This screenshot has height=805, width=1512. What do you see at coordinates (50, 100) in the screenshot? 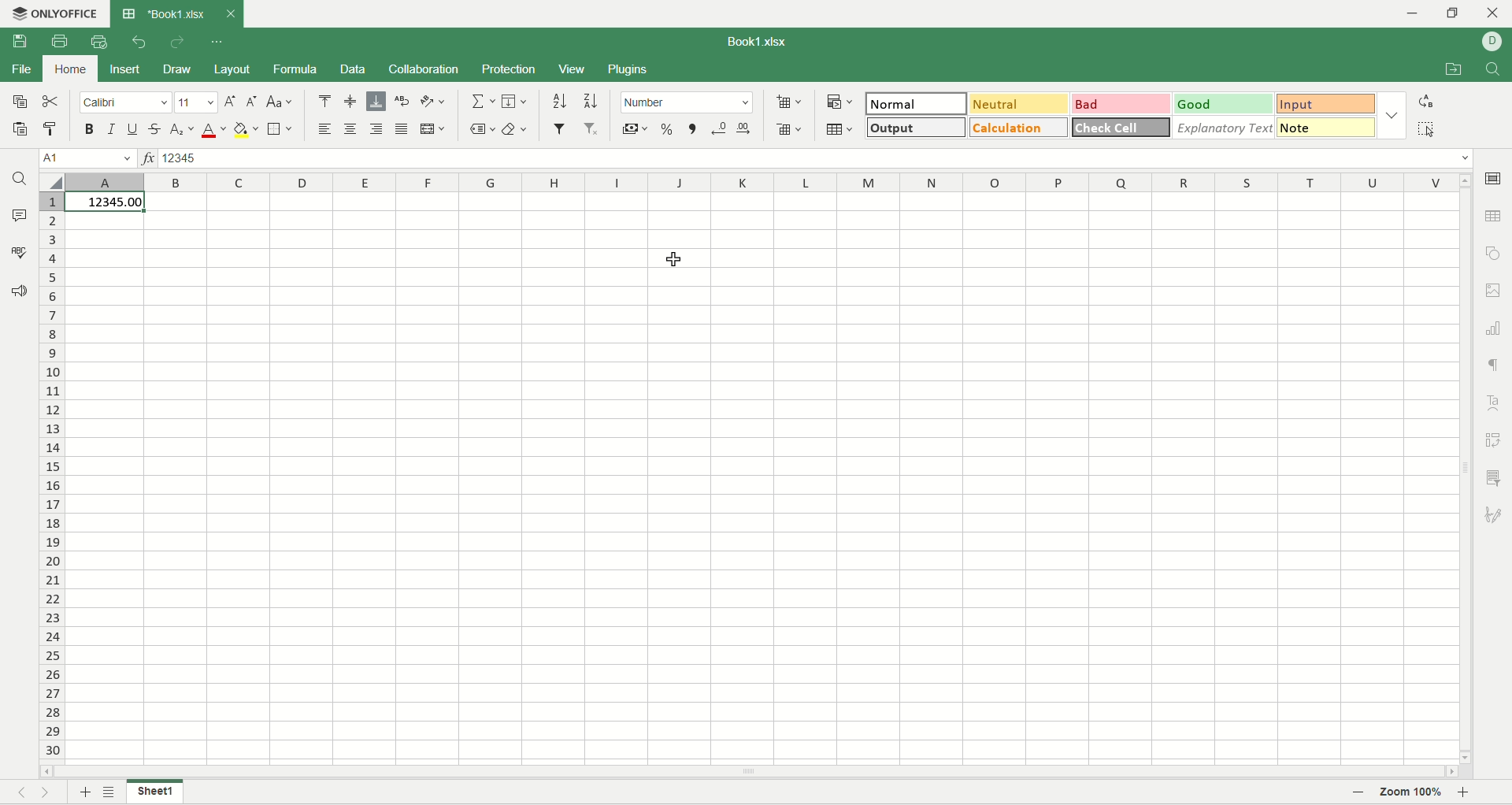
I see `cut` at bounding box center [50, 100].